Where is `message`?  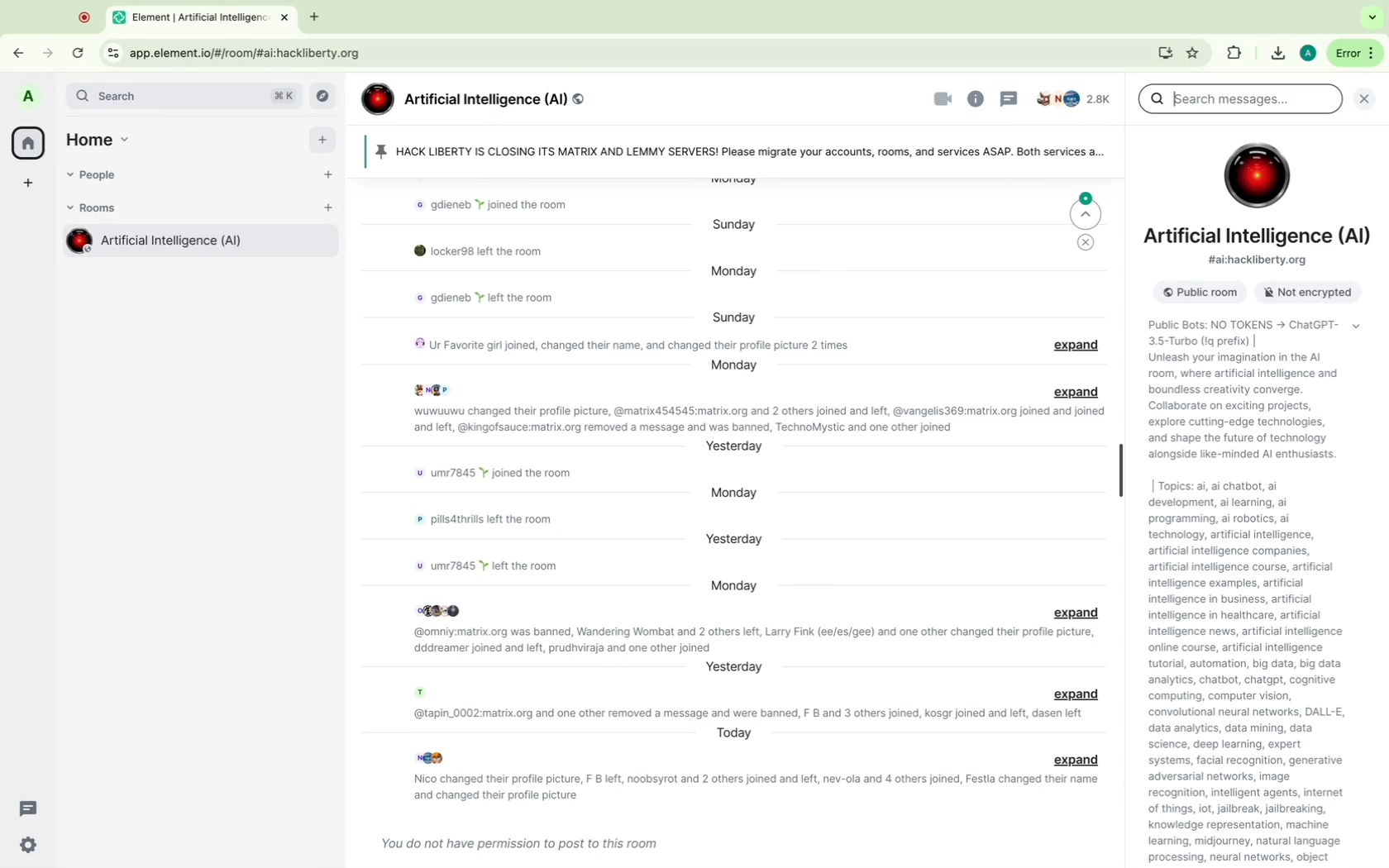 message is located at coordinates (502, 473).